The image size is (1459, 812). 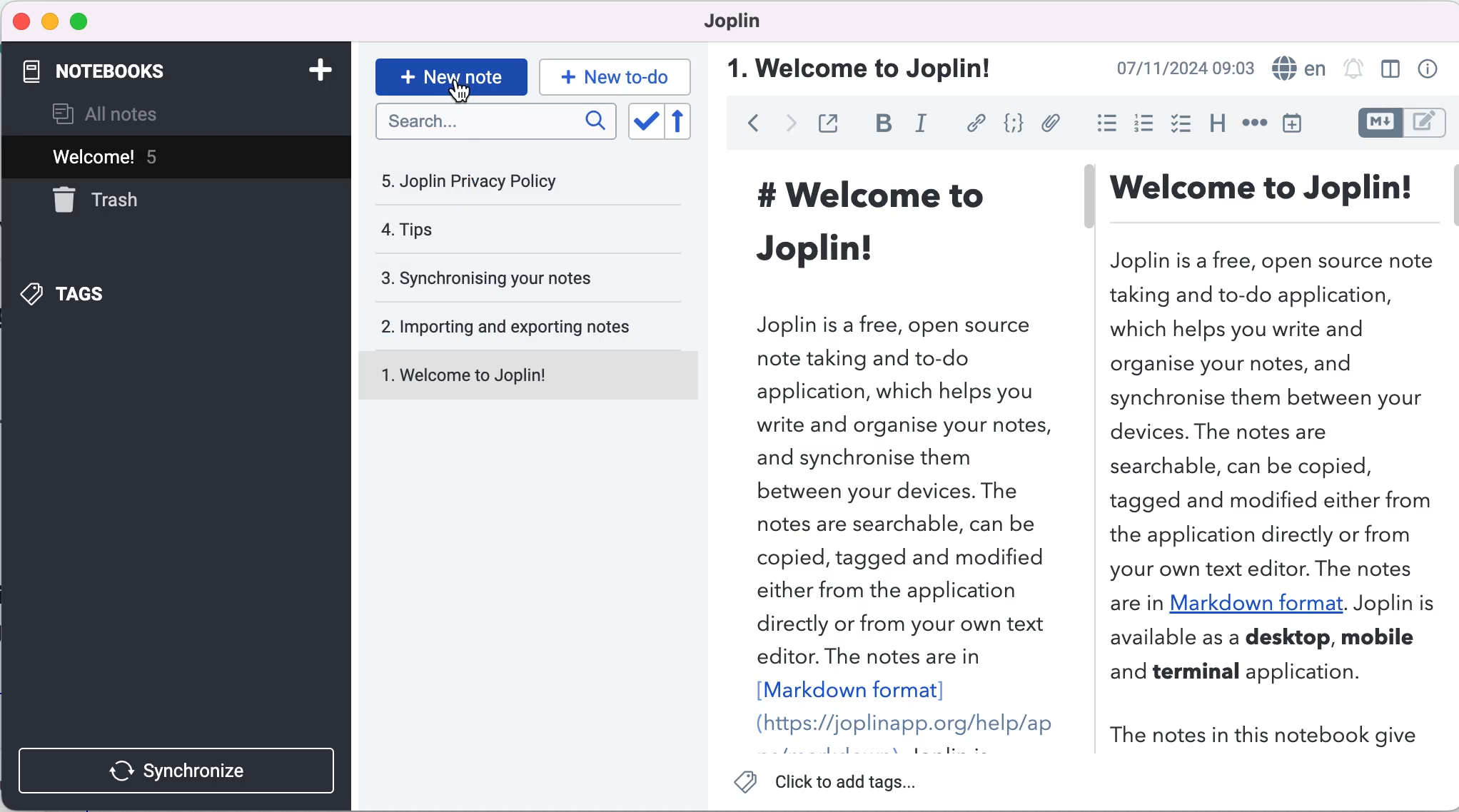 What do you see at coordinates (1183, 123) in the screenshot?
I see `checkbox` at bounding box center [1183, 123].